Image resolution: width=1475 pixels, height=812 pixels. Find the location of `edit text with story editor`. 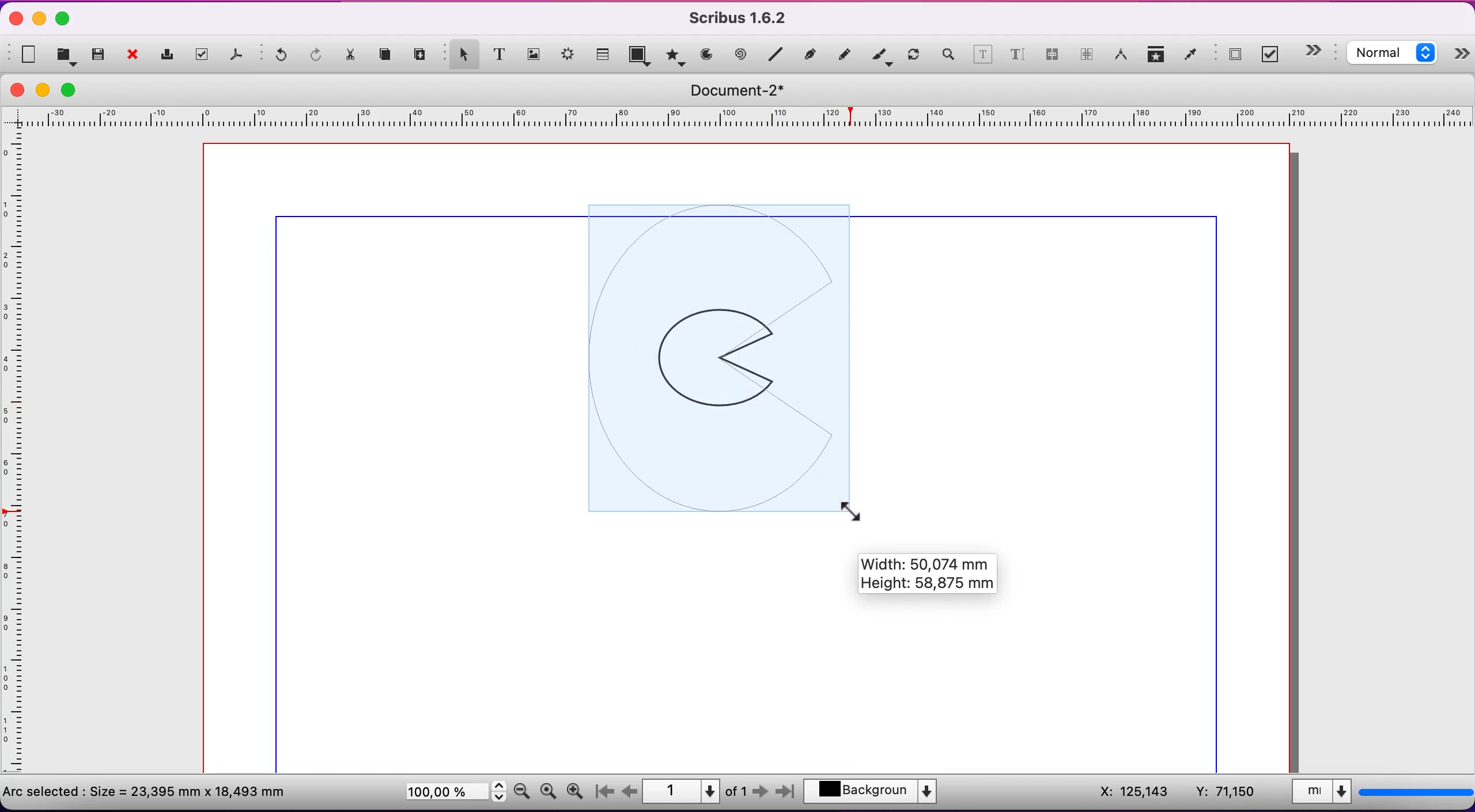

edit text with story editor is located at coordinates (1017, 59).